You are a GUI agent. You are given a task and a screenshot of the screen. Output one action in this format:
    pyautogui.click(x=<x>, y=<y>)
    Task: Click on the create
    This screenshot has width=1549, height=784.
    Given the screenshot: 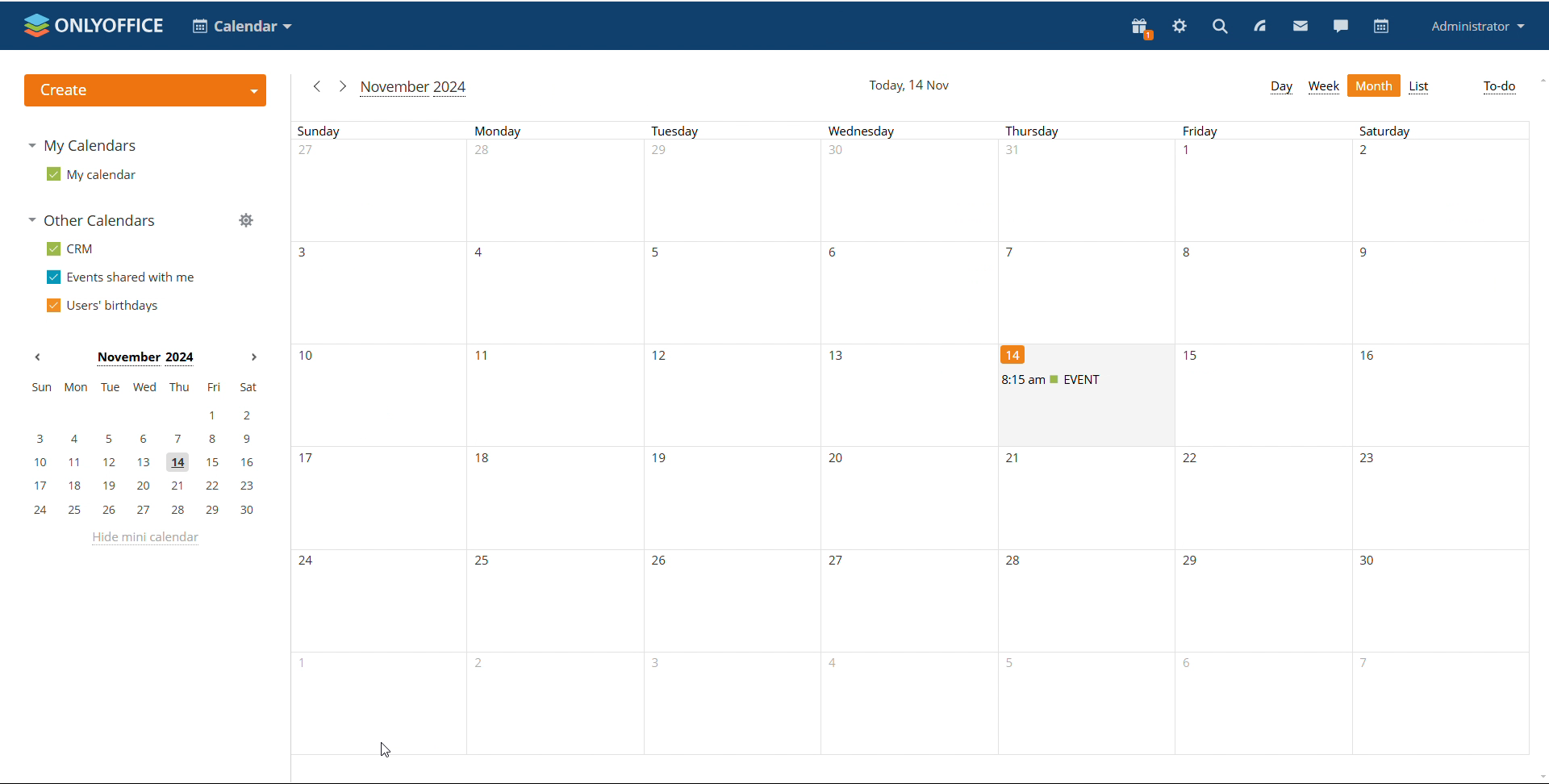 What is the action you would take?
    pyautogui.click(x=145, y=90)
    